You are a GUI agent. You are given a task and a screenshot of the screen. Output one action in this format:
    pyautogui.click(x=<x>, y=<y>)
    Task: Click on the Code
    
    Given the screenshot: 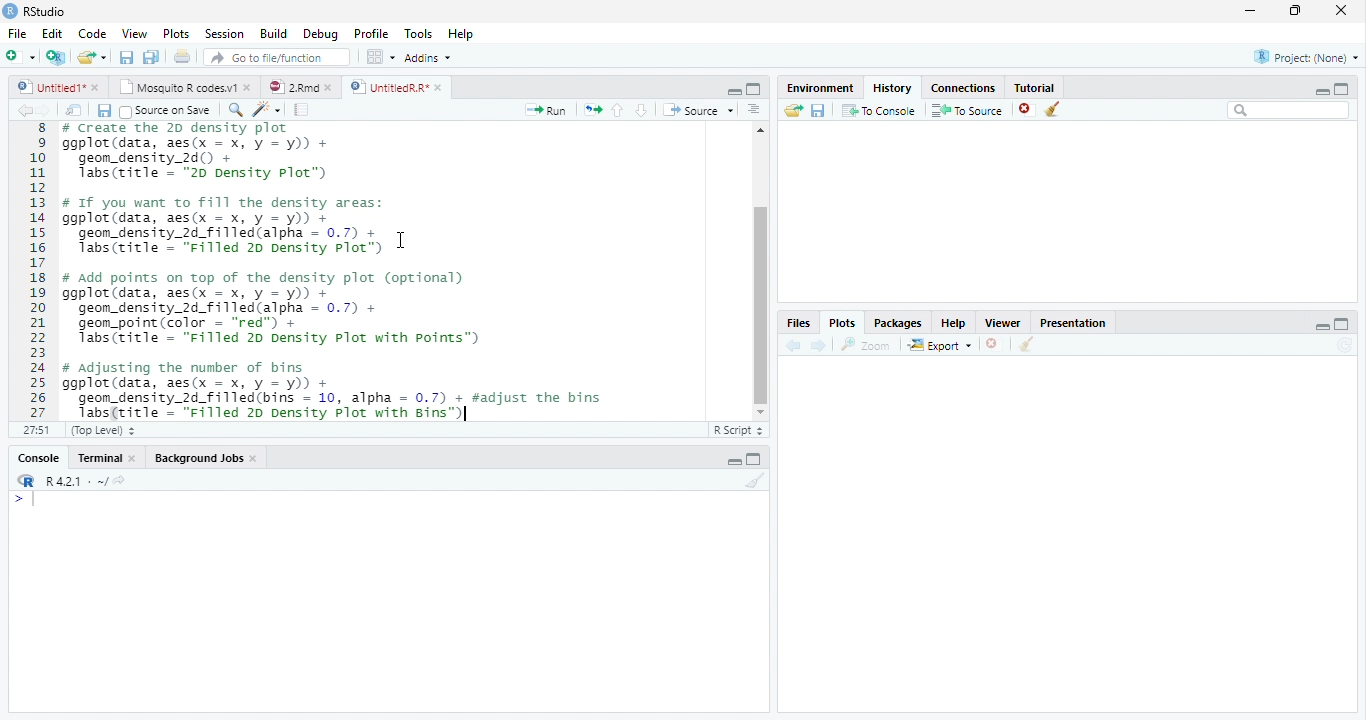 What is the action you would take?
    pyautogui.click(x=94, y=35)
    